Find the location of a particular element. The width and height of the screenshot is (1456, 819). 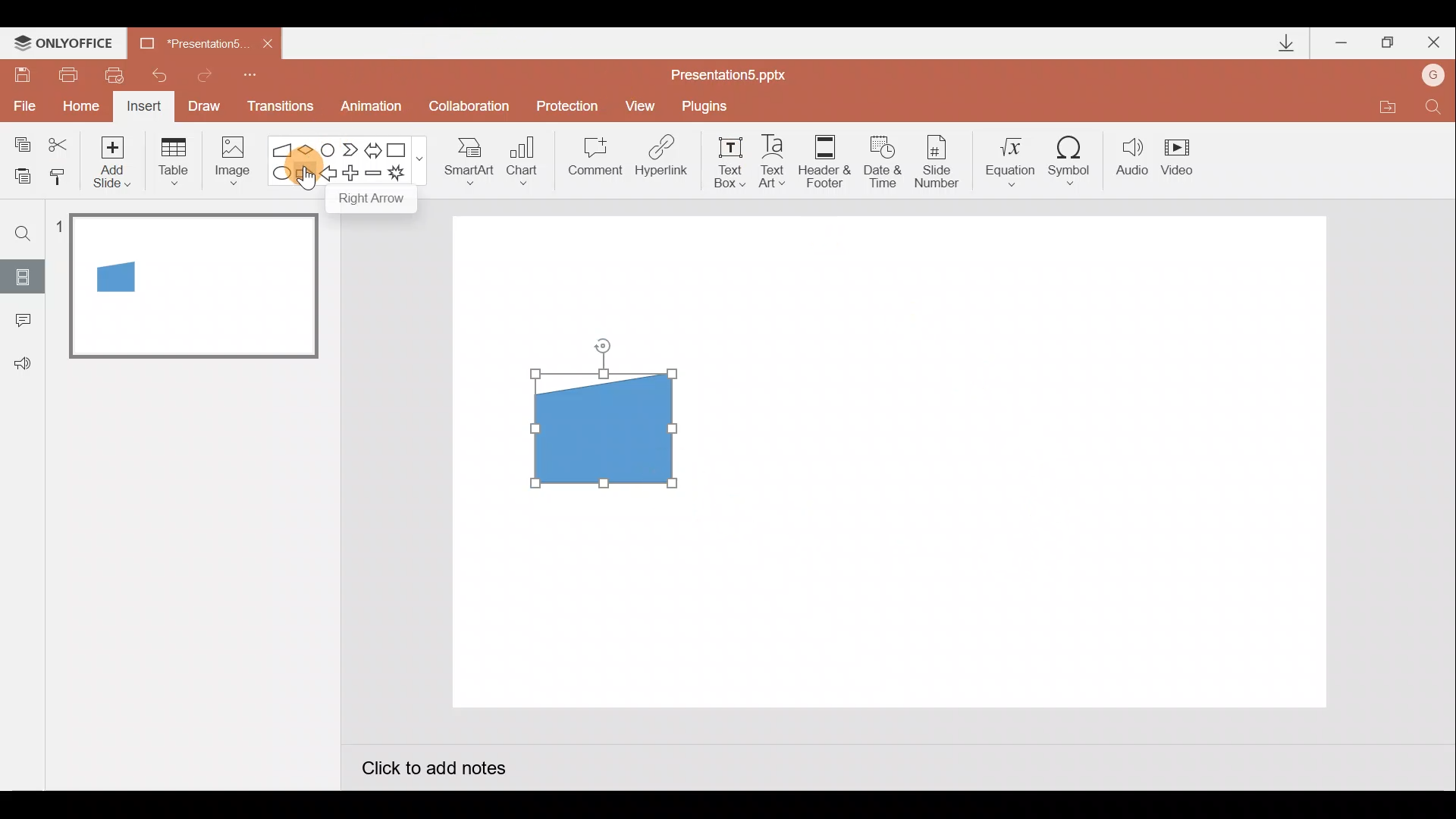

Text box is located at coordinates (725, 160).